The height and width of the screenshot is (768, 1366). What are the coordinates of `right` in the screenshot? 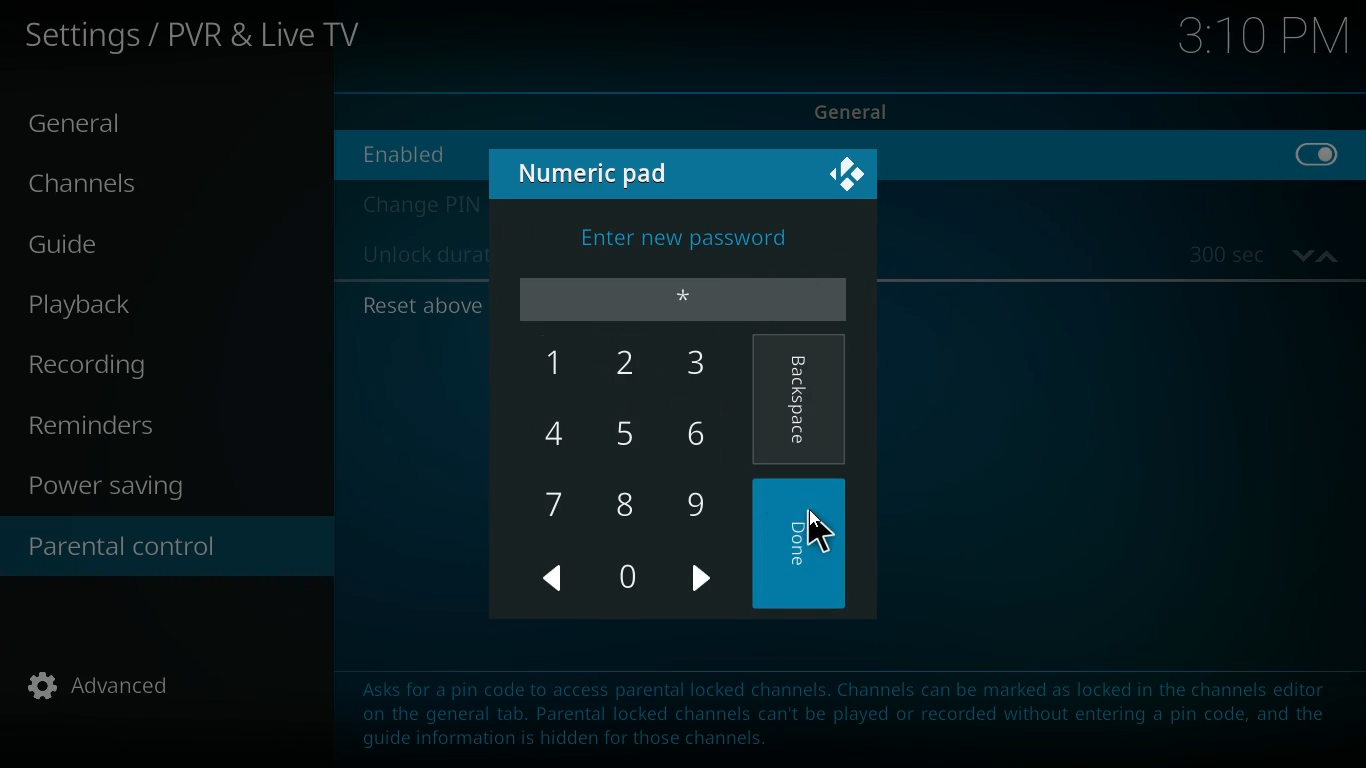 It's located at (704, 582).